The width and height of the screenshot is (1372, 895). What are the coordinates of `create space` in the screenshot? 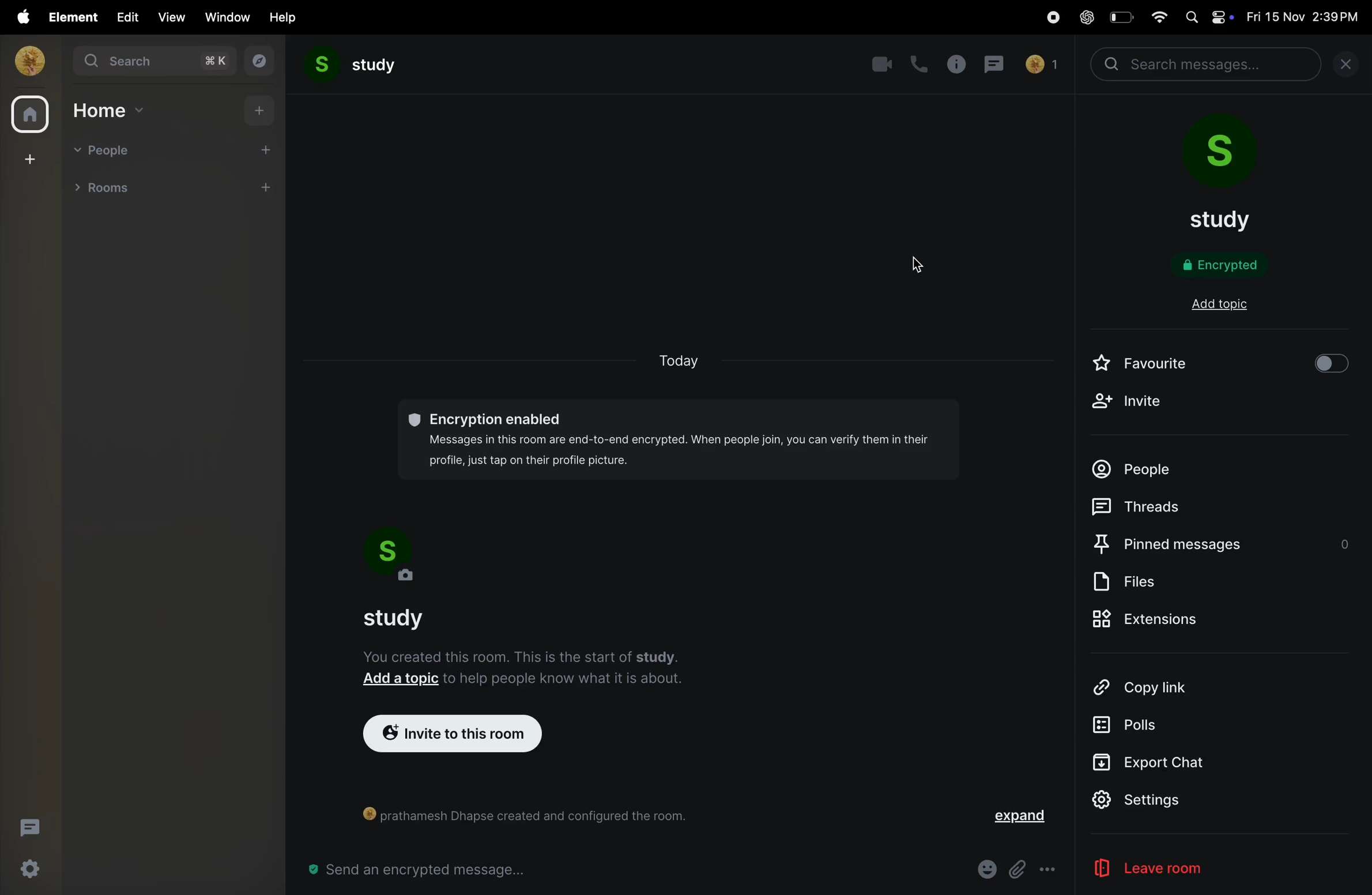 It's located at (28, 158).